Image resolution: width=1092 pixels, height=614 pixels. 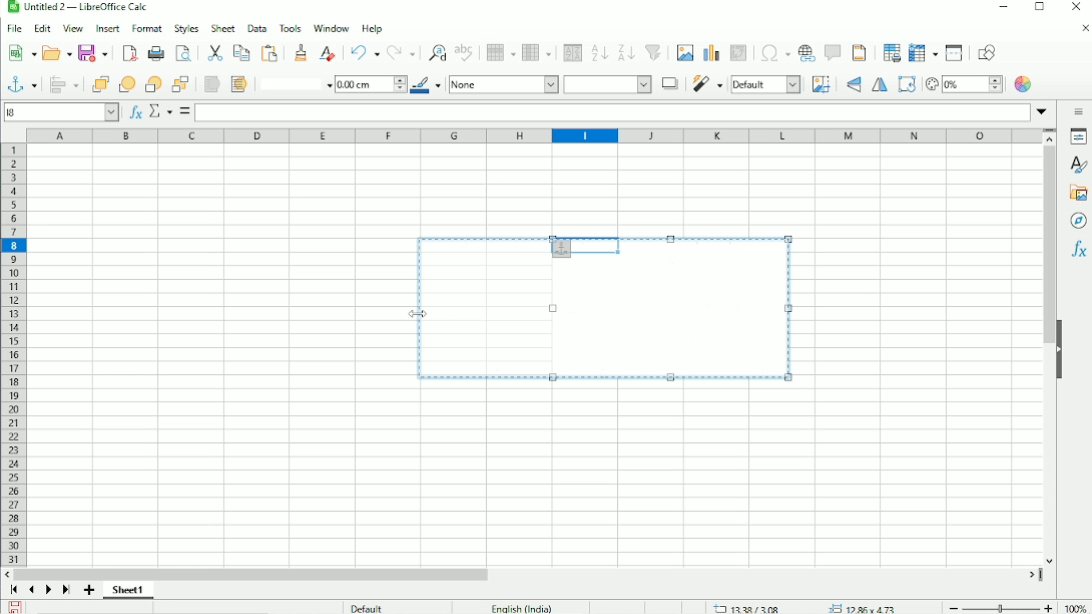 What do you see at coordinates (1079, 221) in the screenshot?
I see `Navigator` at bounding box center [1079, 221].